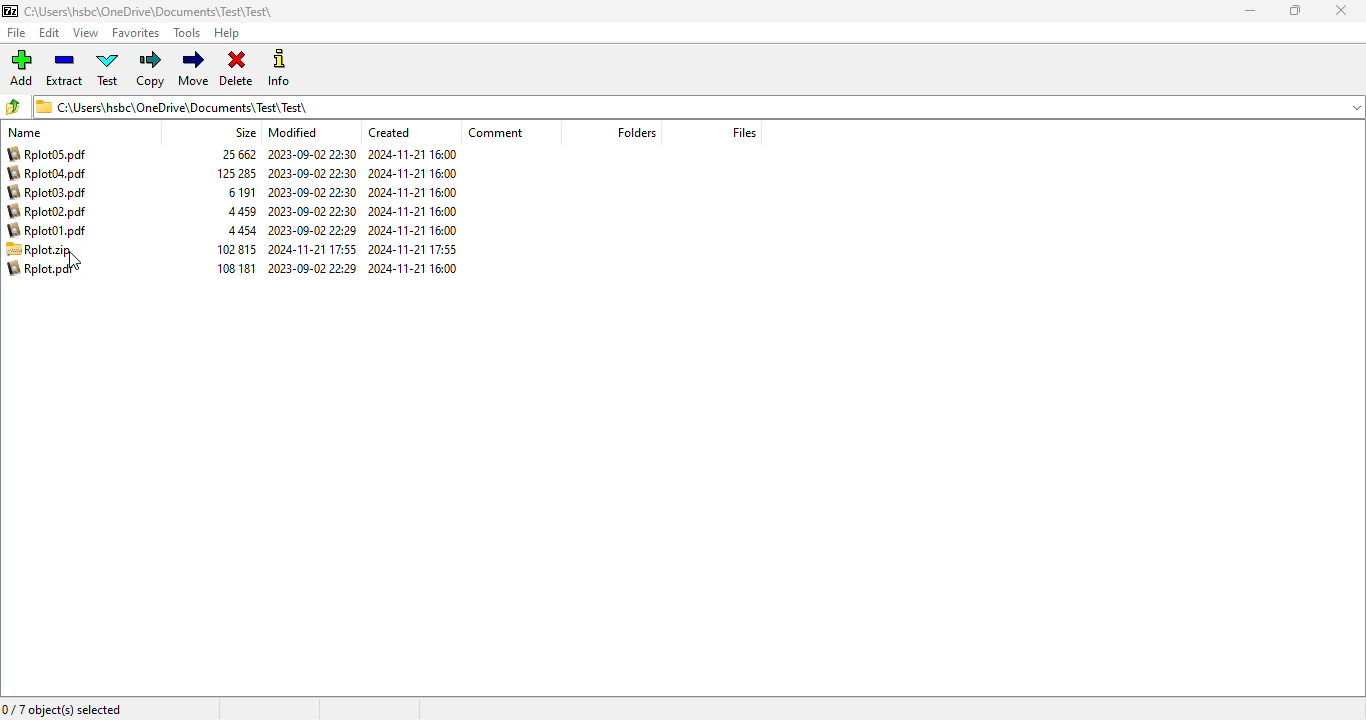 Image resolution: width=1366 pixels, height=720 pixels. I want to click on Rplot04.pdf 125285 2023-09-02 22:30 2024-11-21 16:00, so click(235, 174).